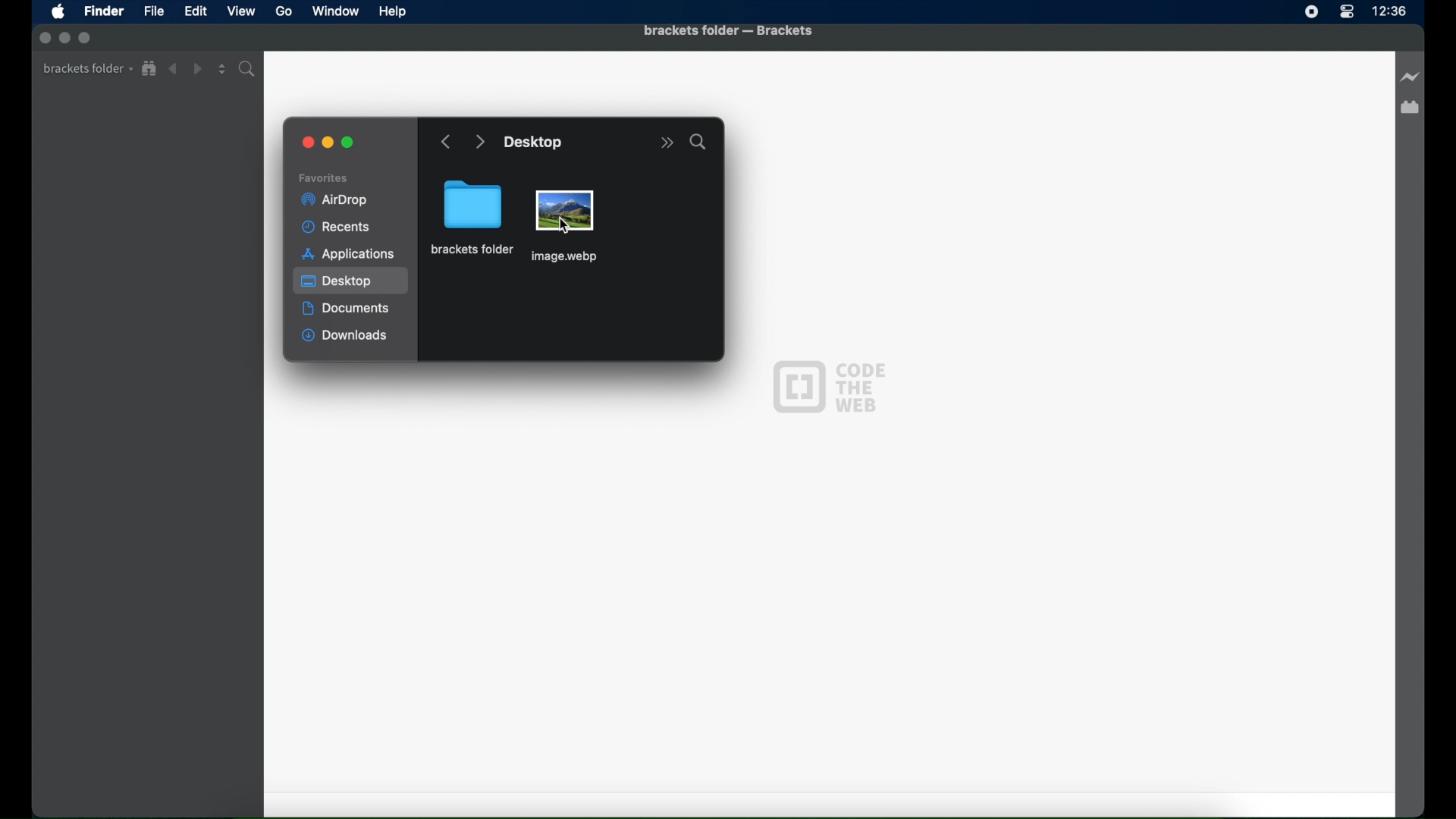 The width and height of the screenshot is (1456, 819). Describe the element at coordinates (352, 281) in the screenshot. I see `desktop` at that location.